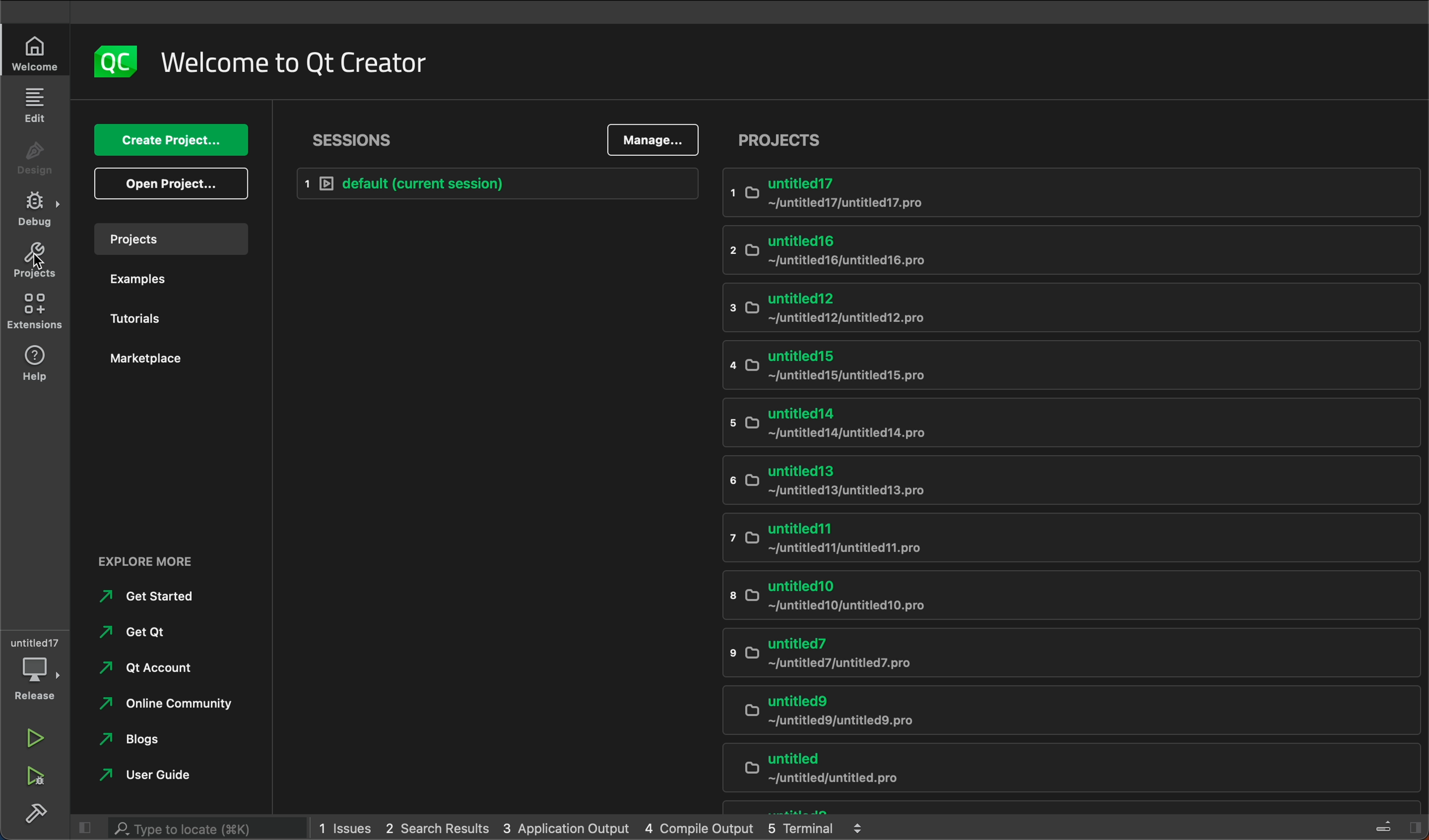 The width and height of the screenshot is (1429, 840). Describe the element at coordinates (591, 829) in the screenshot. I see `logs` at that location.